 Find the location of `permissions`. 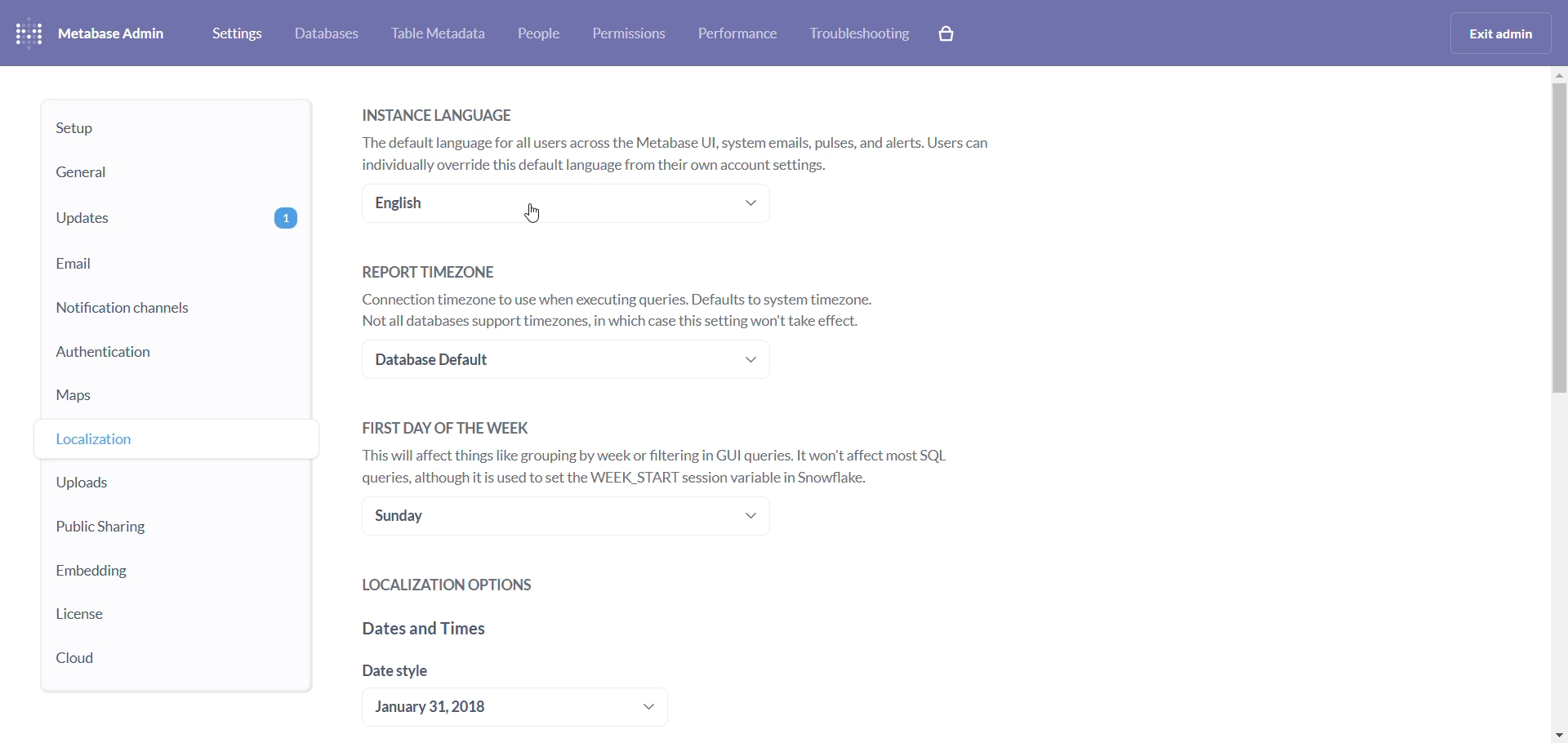

permissions is located at coordinates (633, 34).